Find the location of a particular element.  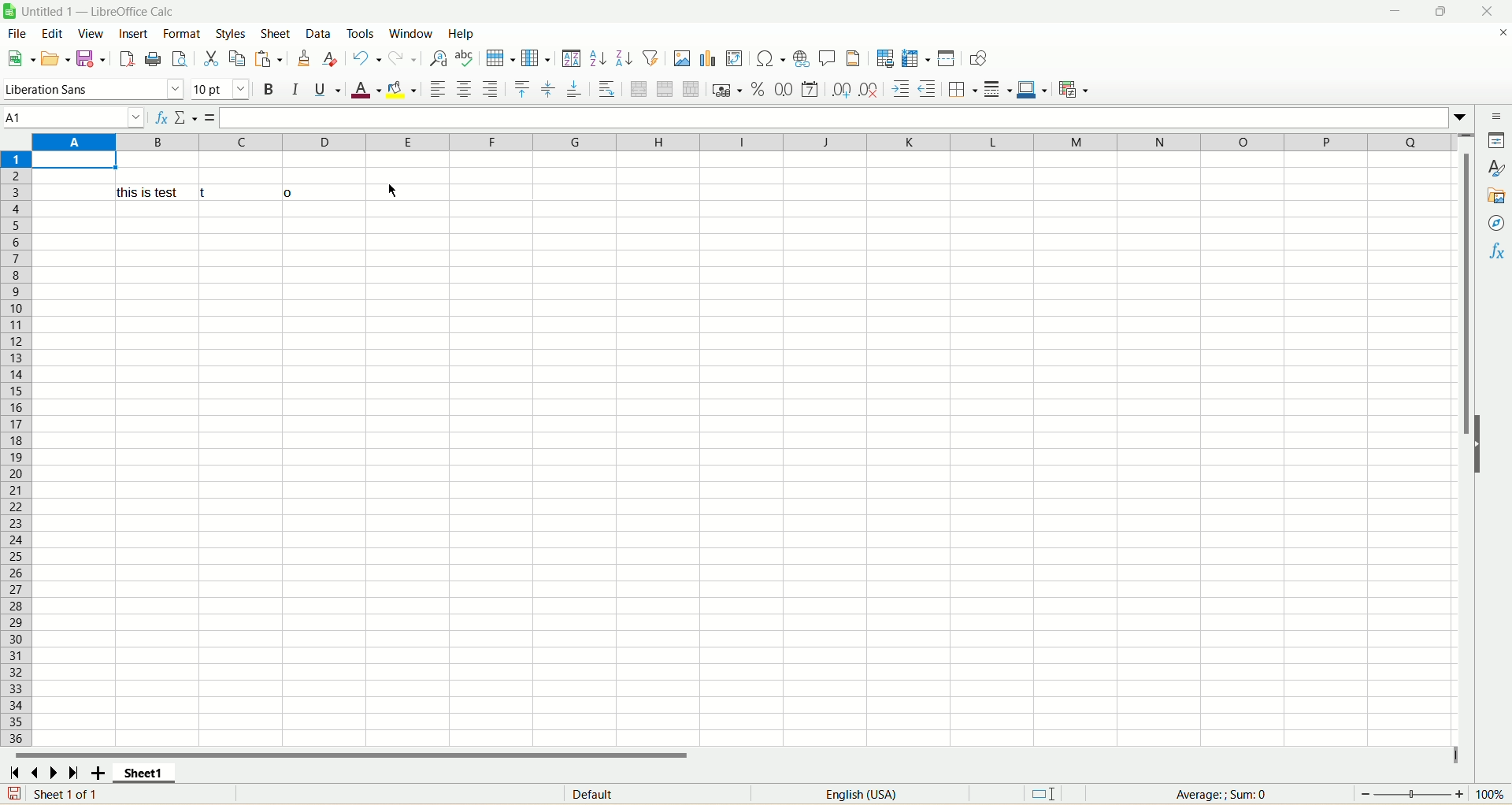

wrap text is located at coordinates (607, 90).